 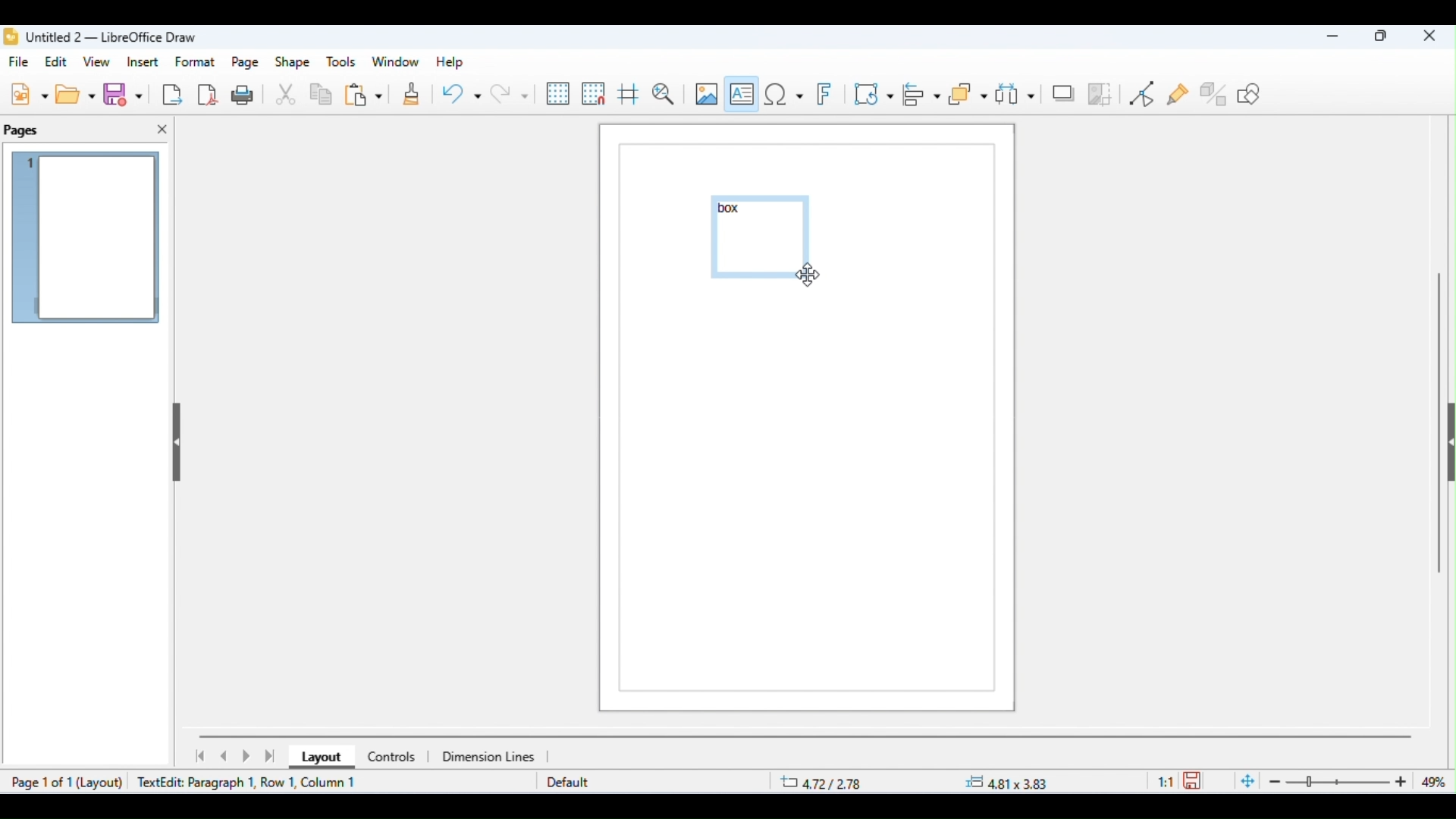 I want to click on position and size, so click(x=916, y=783).